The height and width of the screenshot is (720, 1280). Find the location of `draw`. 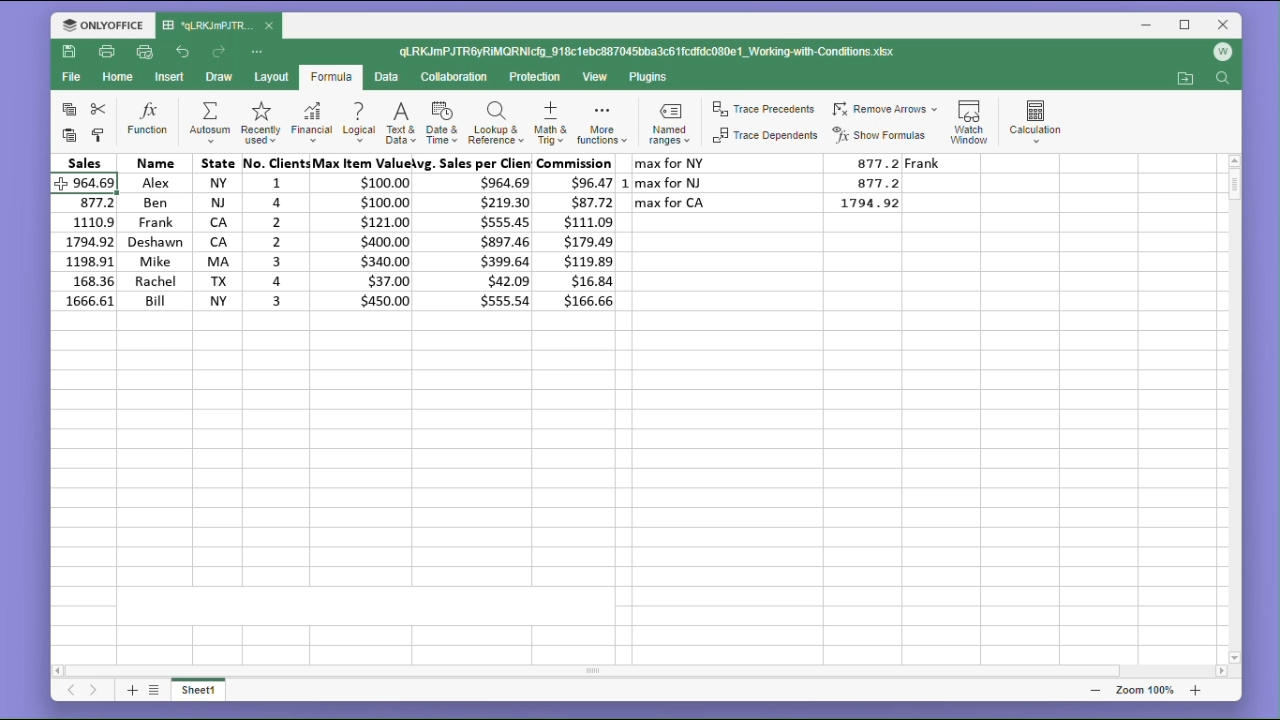

draw is located at coordinates (219, 78).